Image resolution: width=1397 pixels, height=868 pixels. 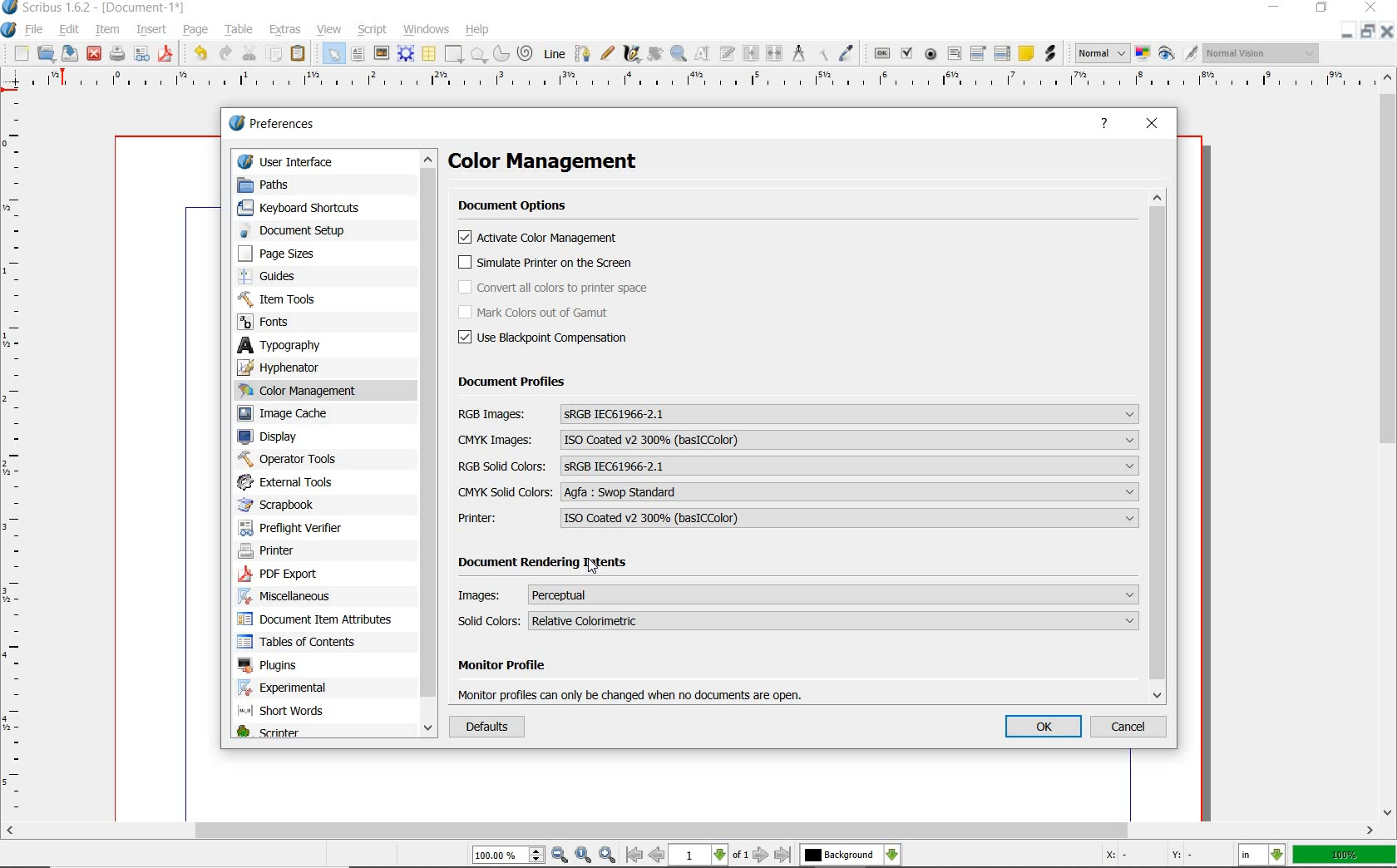 What do you see at coordinates (605, 52) in the screenshot?
I see `freehand line` at bounding box center [605, 52].